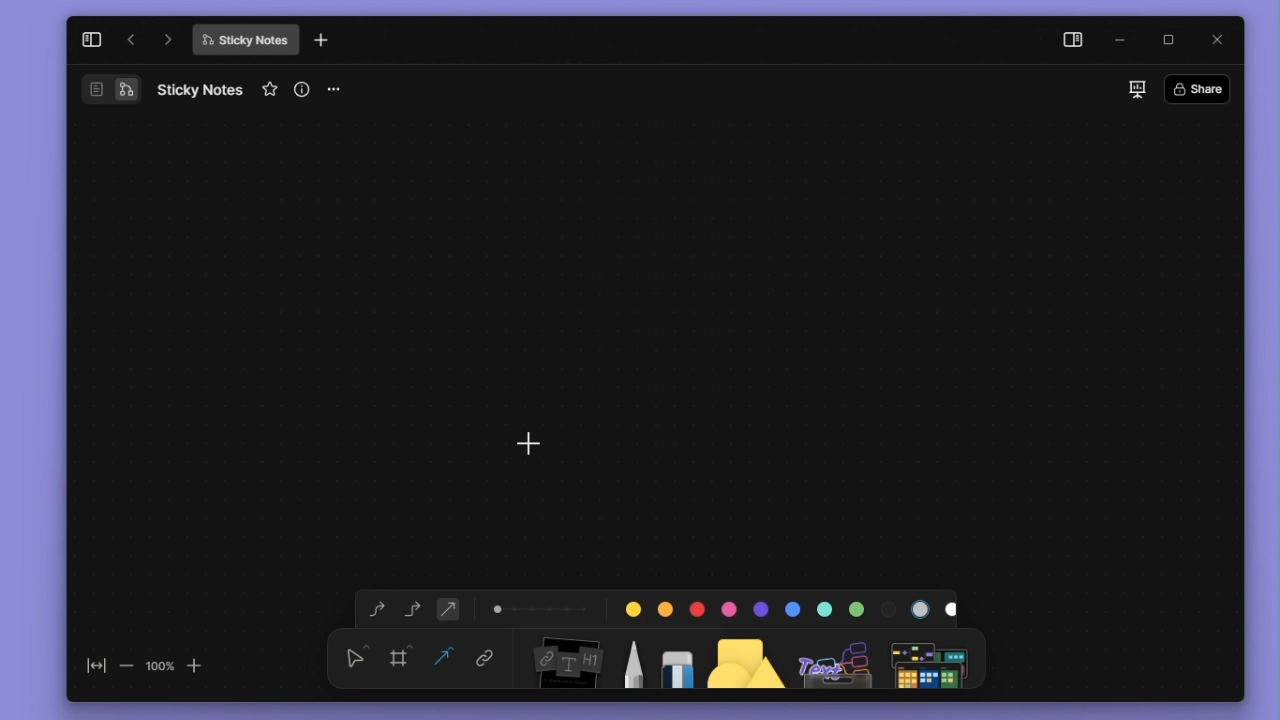  I want to click on elbowed, so click(413, 607).